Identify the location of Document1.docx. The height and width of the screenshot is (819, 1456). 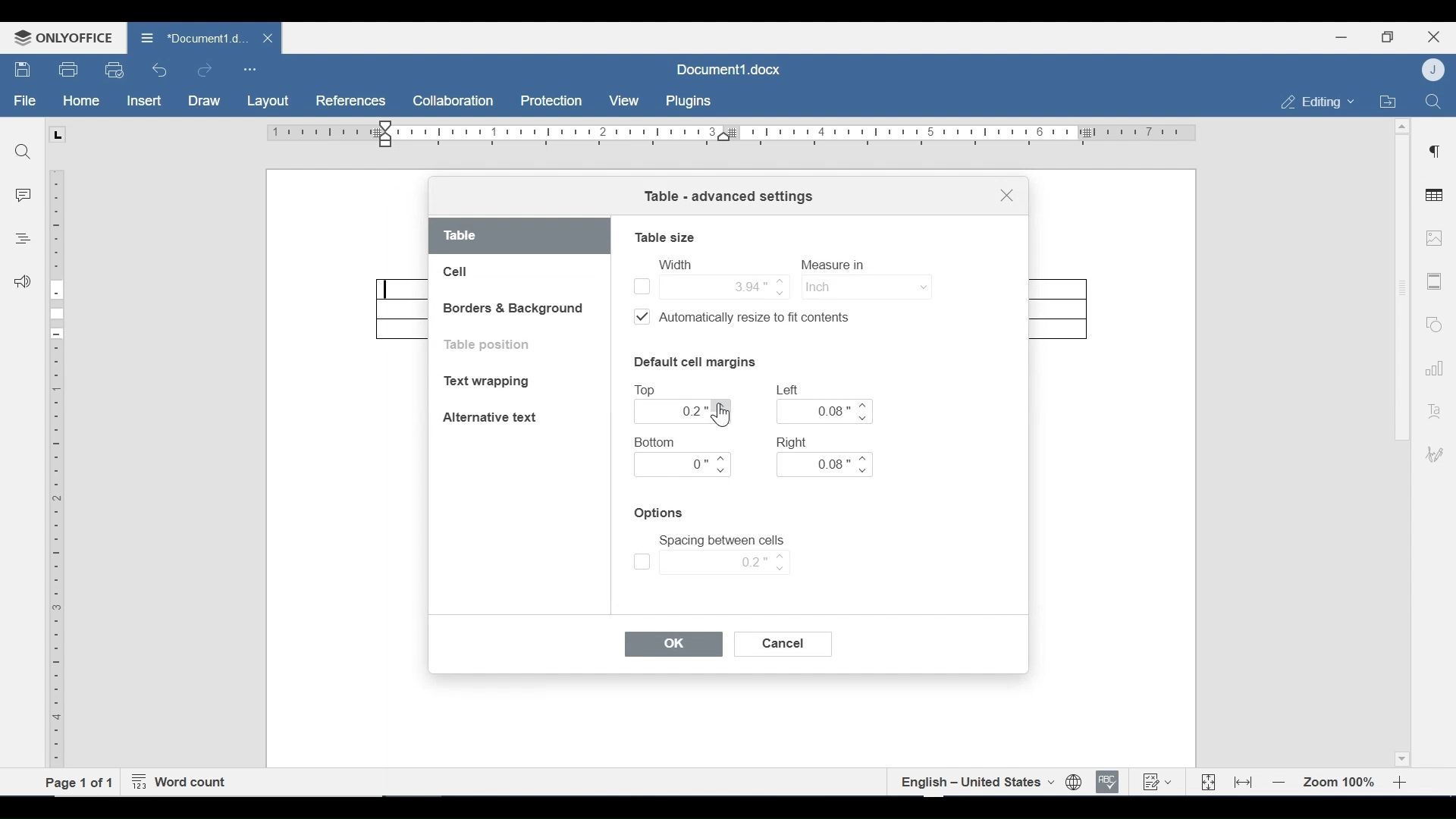
(730, 67).